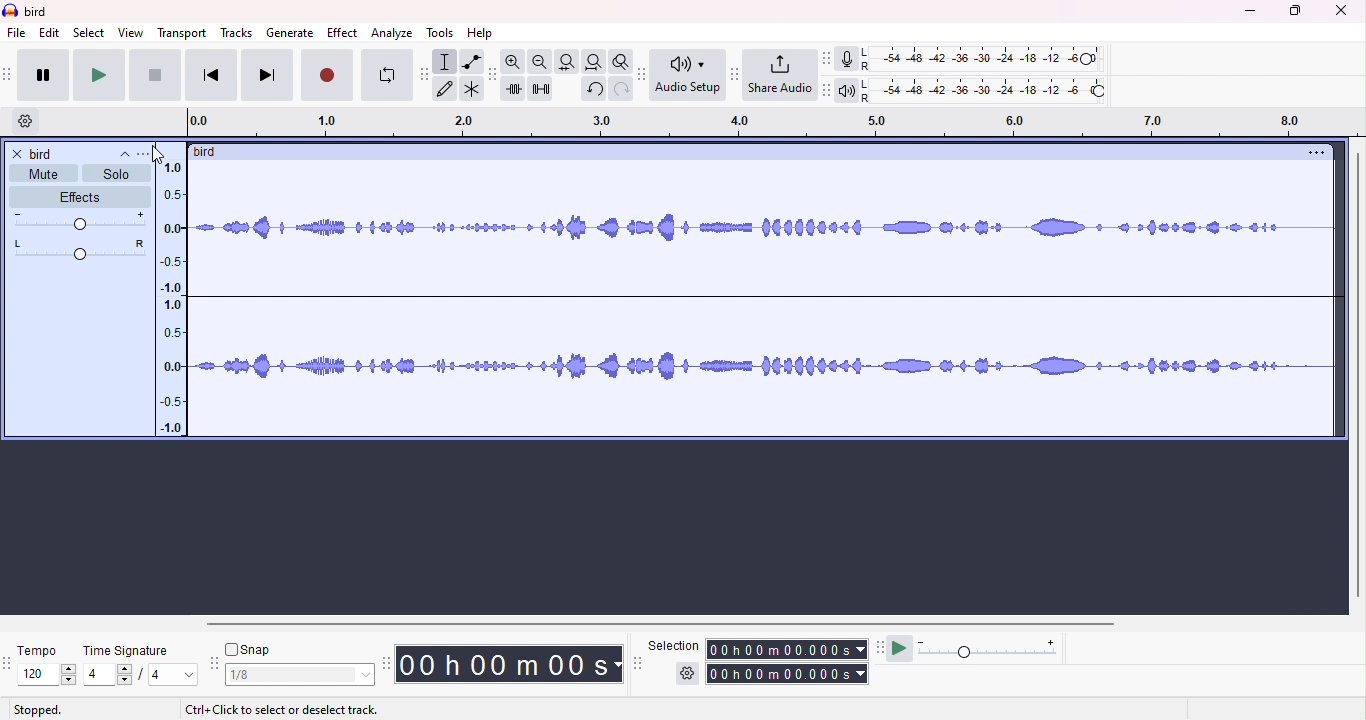 The image size is (1366, 720). I want to click on tools tool bar, so click(427, 75).